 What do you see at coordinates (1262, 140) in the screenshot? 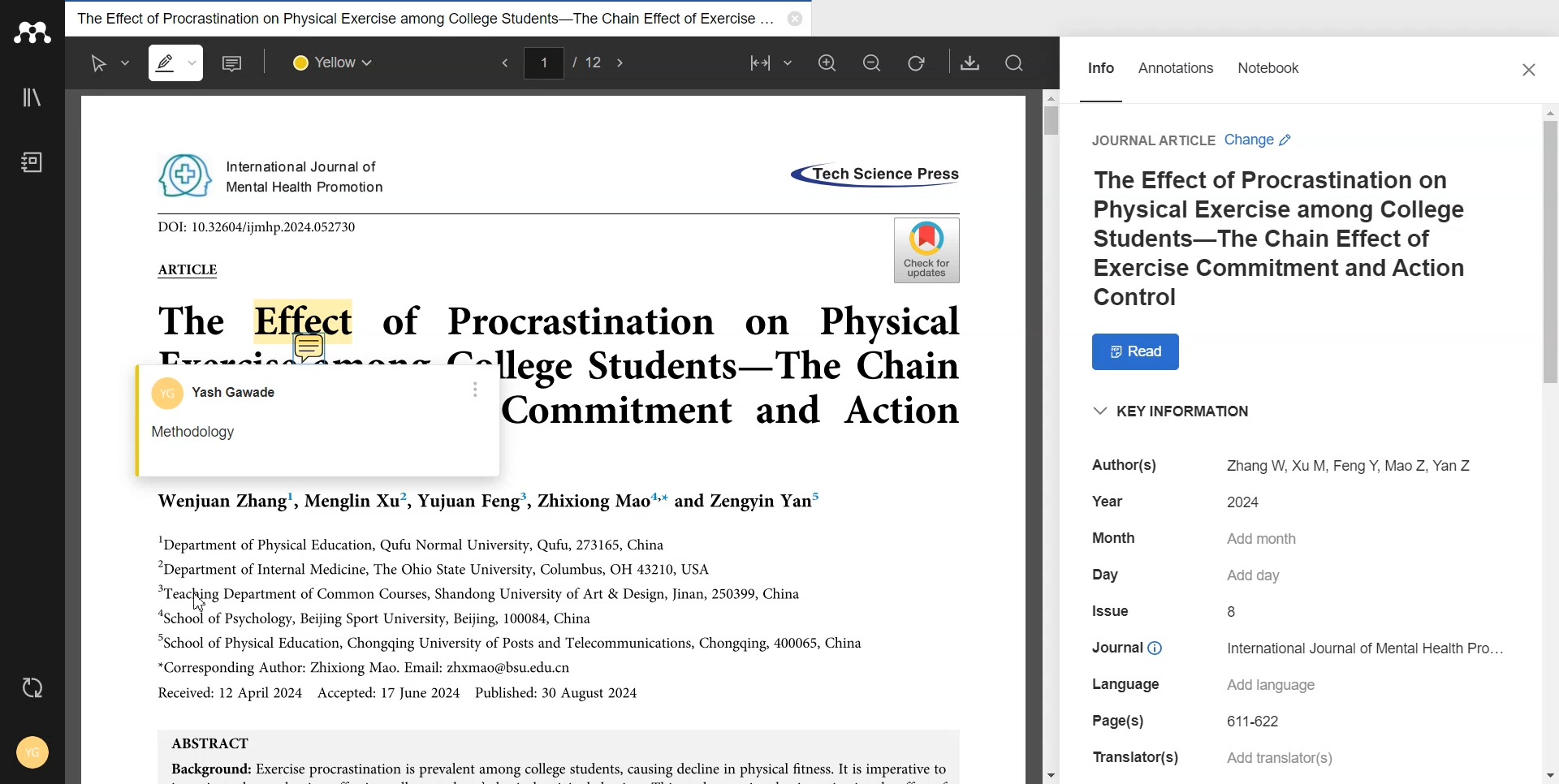
I see `Change` at bounding box center [1262, 140].